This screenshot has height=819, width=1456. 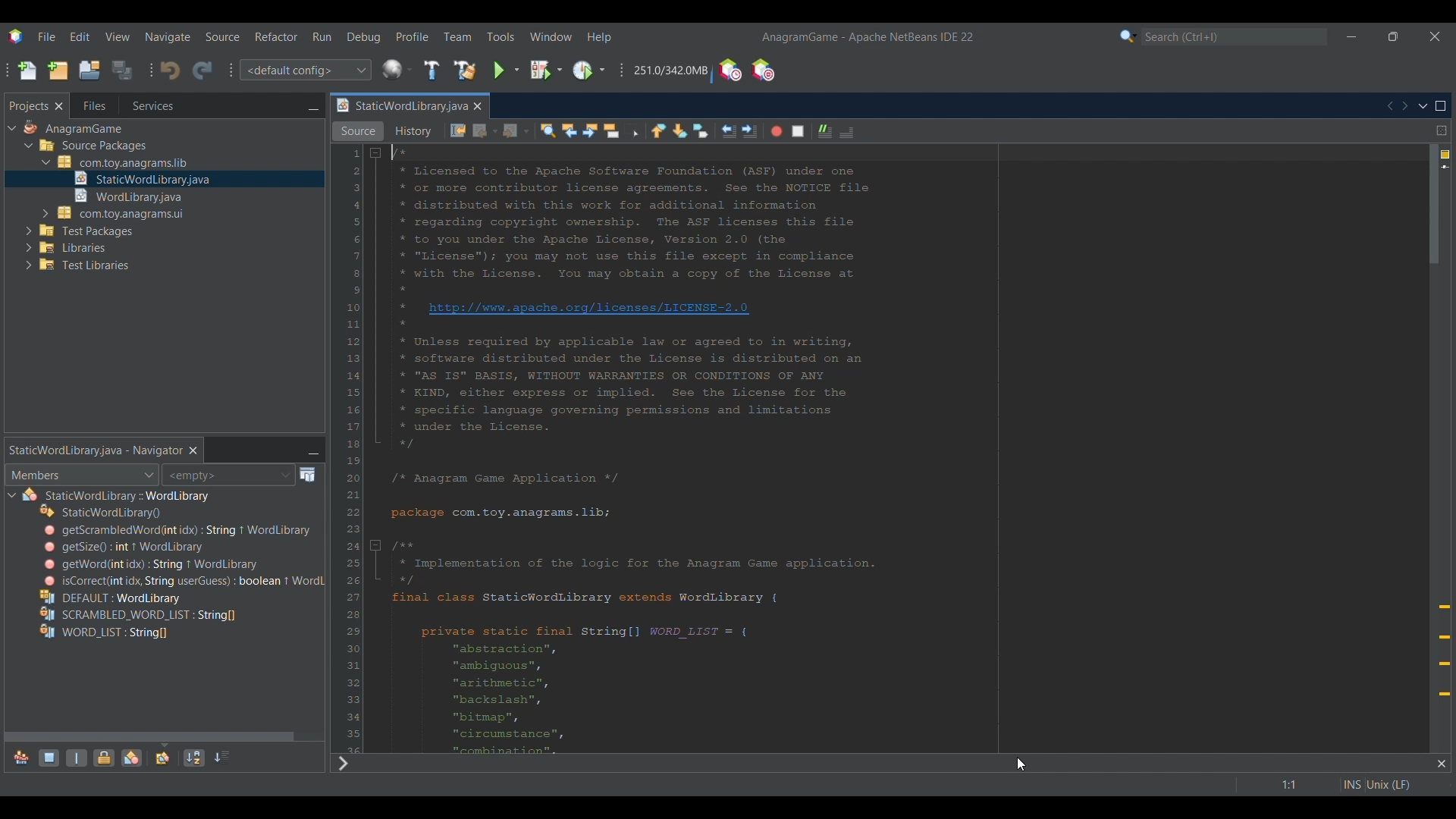 I want to click on Source menu, so click(x=222, y=36).